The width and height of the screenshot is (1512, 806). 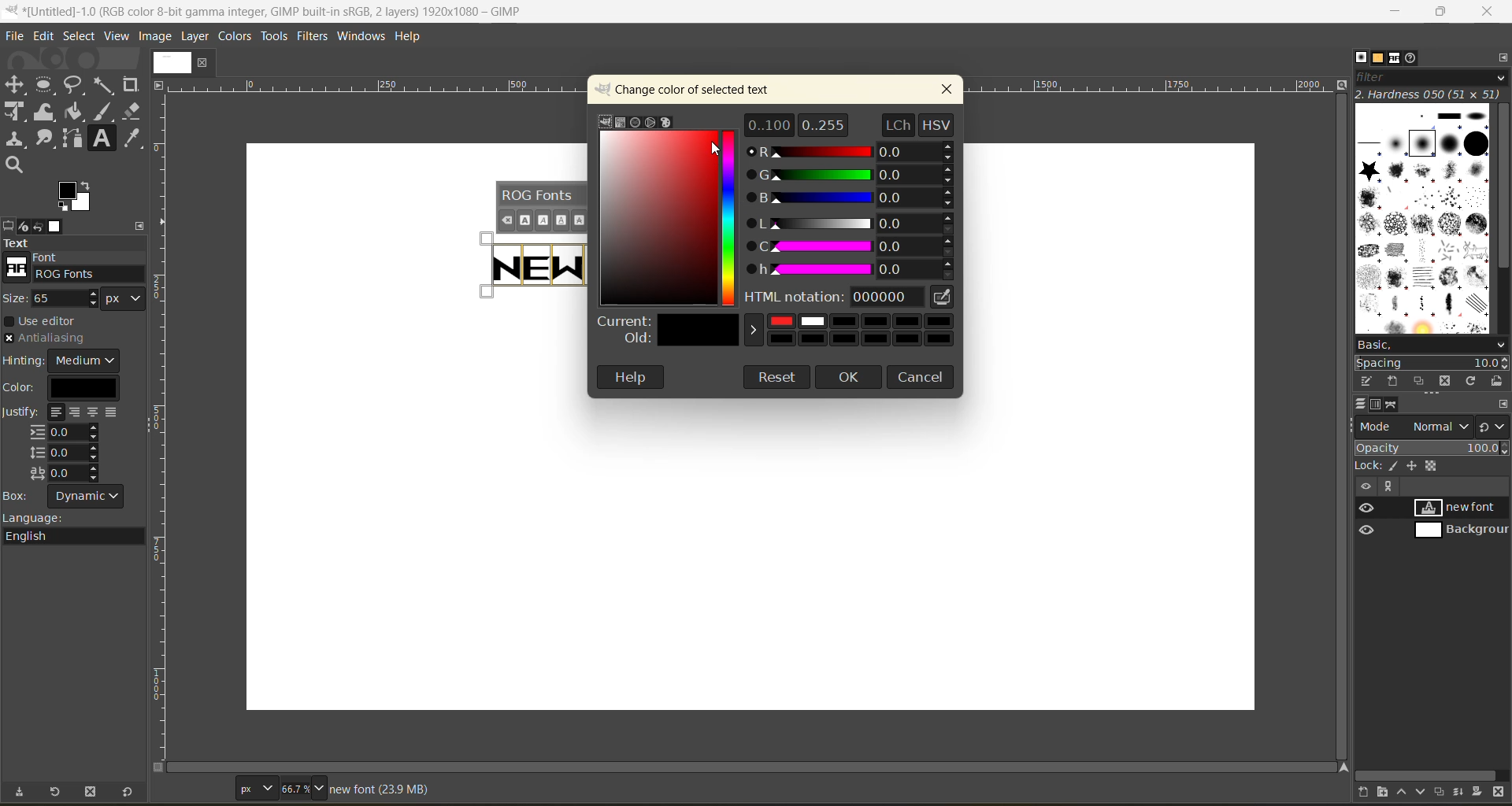 What do you see at coordinates (1378, 57) in the screenshot?
I see `patterns` at bounding box center [1378, 57].